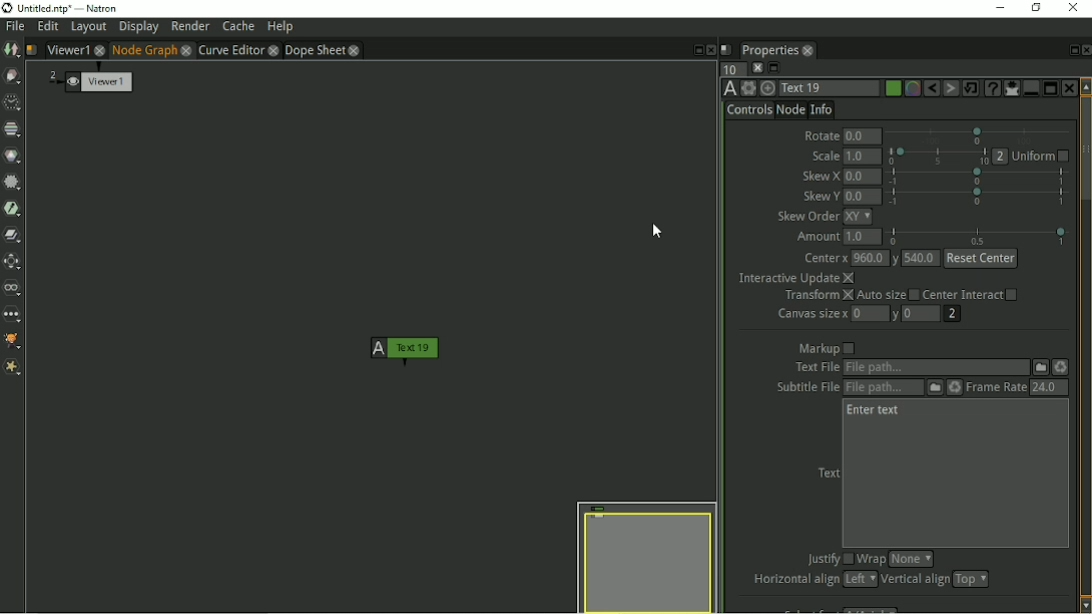  I want to click on Close, so click(712, 51).